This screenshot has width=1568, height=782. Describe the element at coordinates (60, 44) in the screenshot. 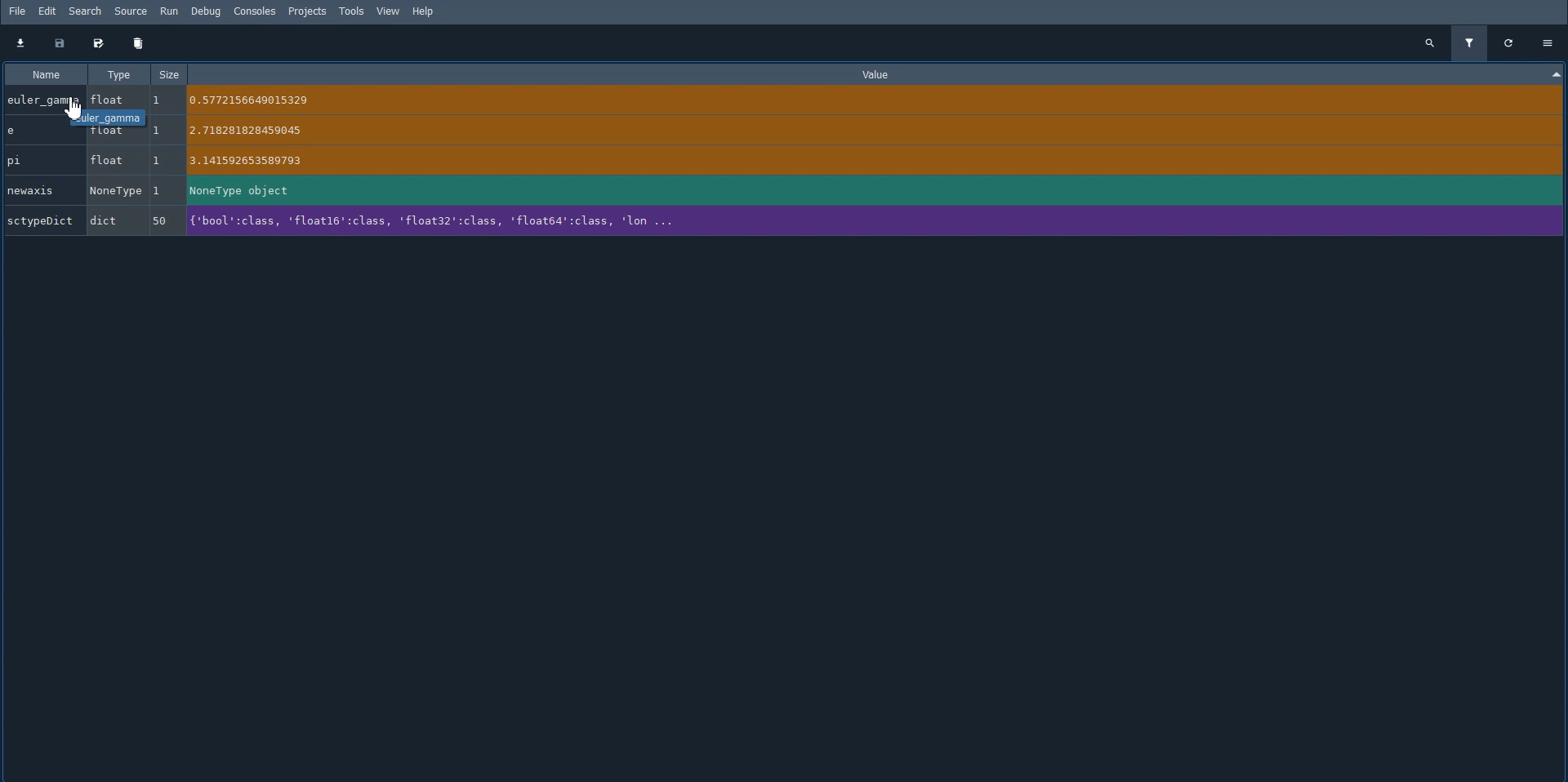

I see `Save data` at that location.